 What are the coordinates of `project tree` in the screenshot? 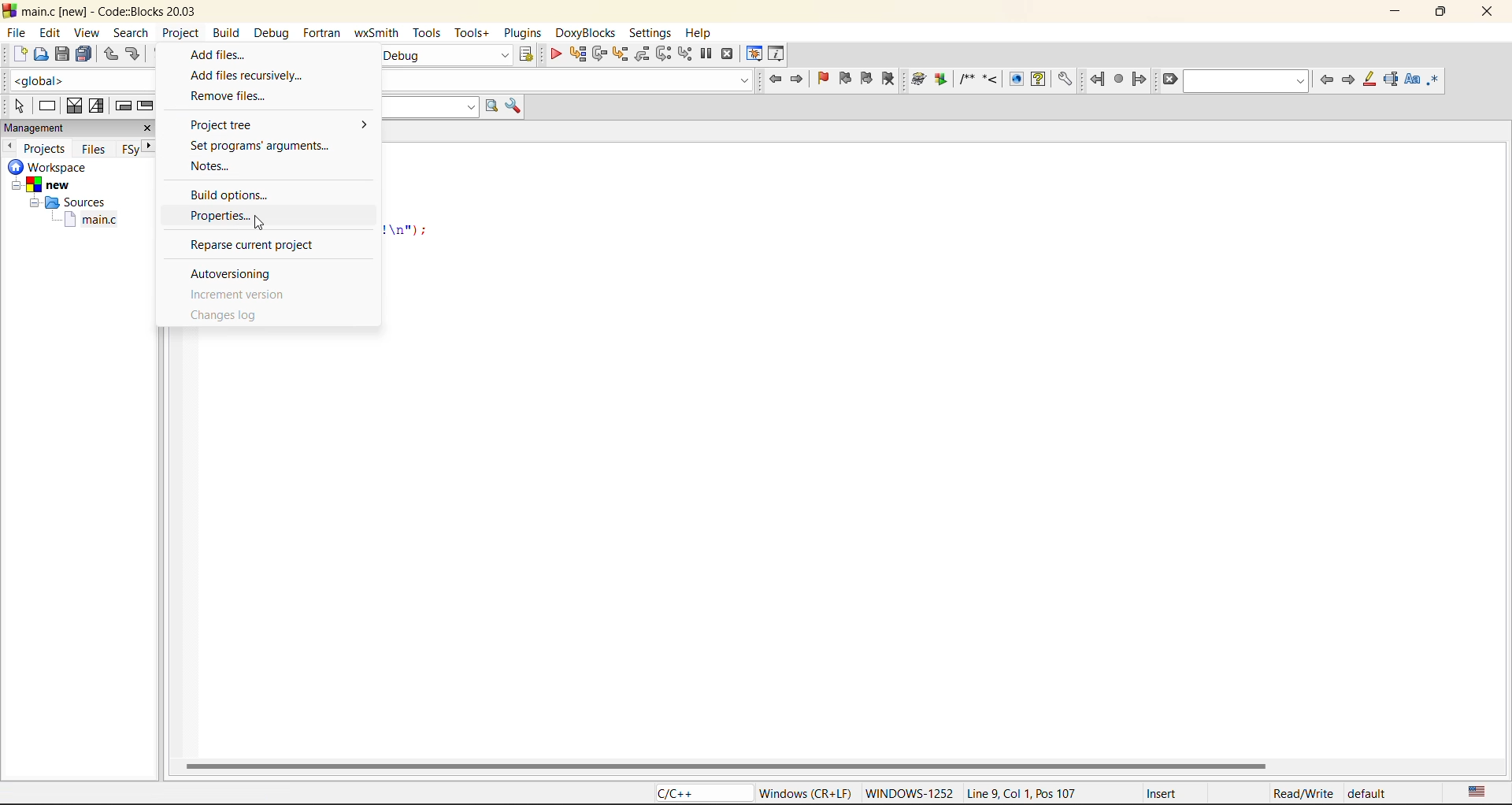 It's located at (276, 126).